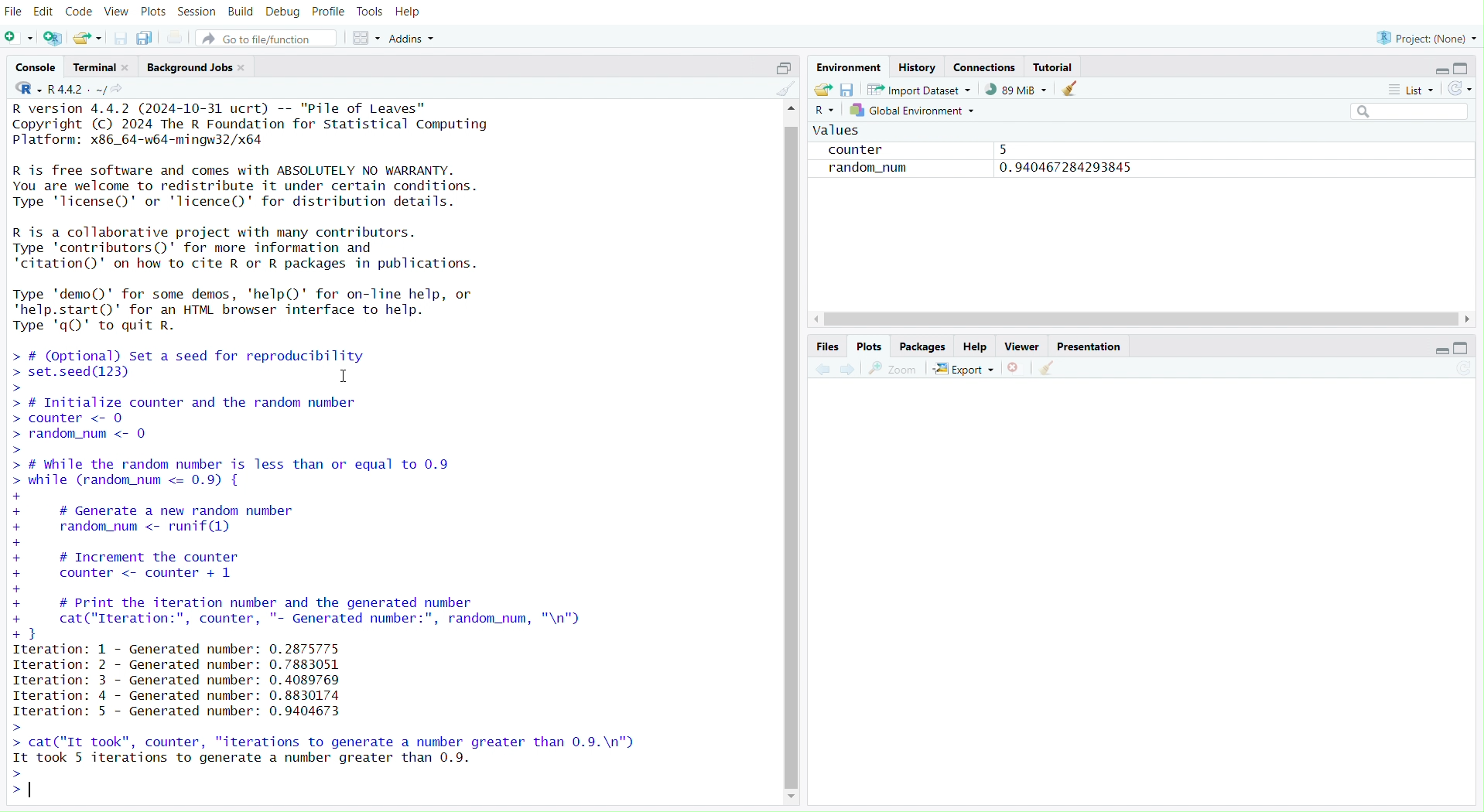 Image resolution: width=1484 pixels, height=812 pixels. Describe the element at coordinates (36, 67) in the screenshot. I see `Console` at that location.